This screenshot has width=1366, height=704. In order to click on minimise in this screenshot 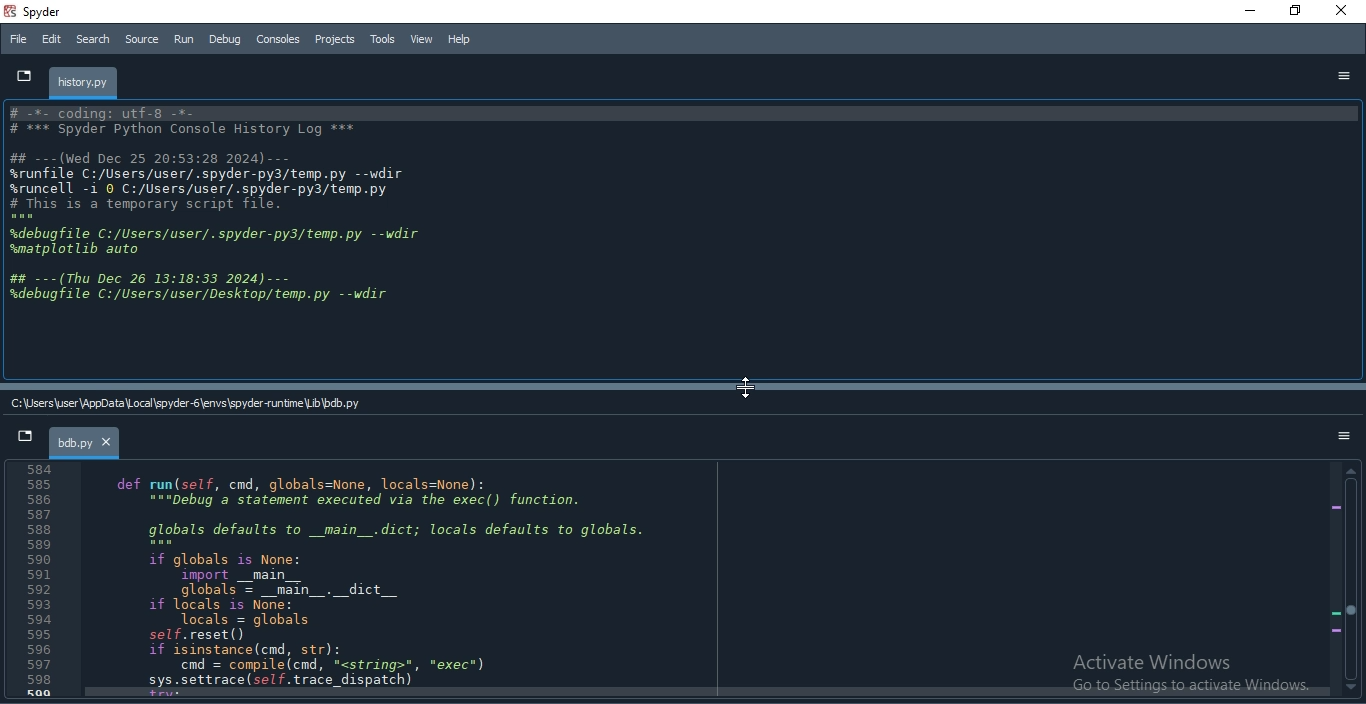, I will do `click(1247, 12)`.